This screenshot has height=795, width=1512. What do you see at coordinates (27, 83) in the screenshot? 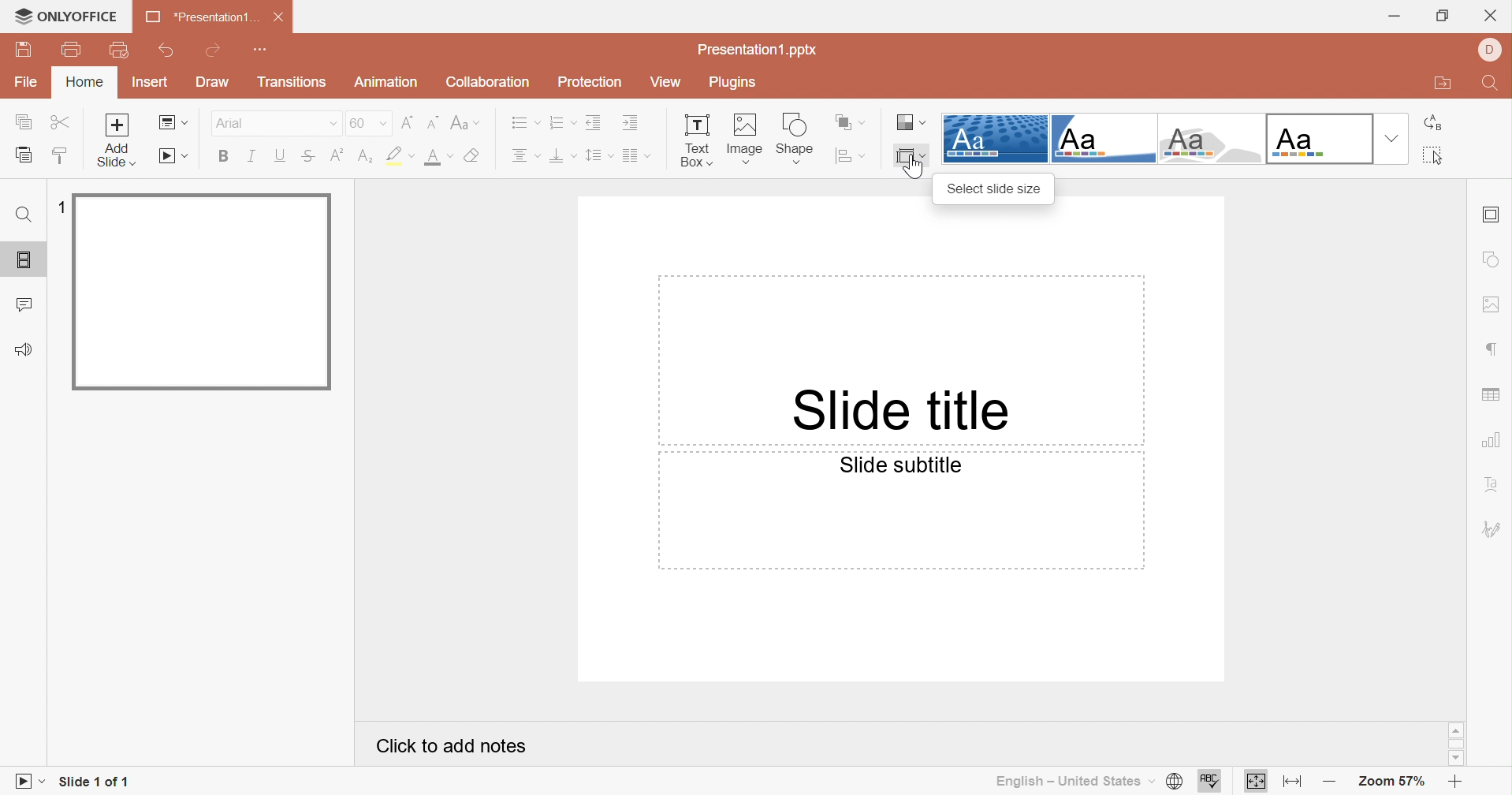
I see `File` at bounding box center [27, 83].